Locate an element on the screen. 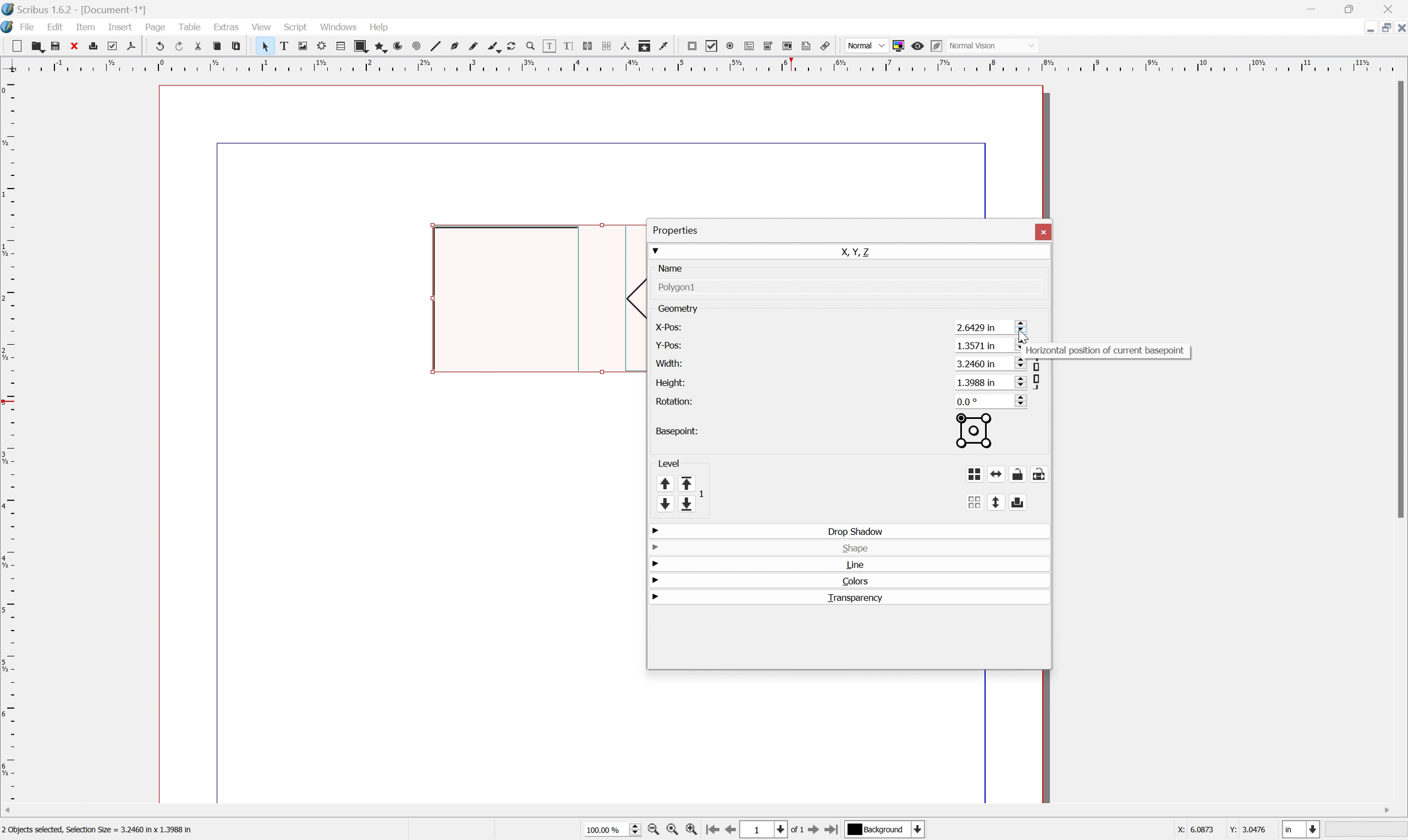  save as pdf is located at coordinates (135, 44).